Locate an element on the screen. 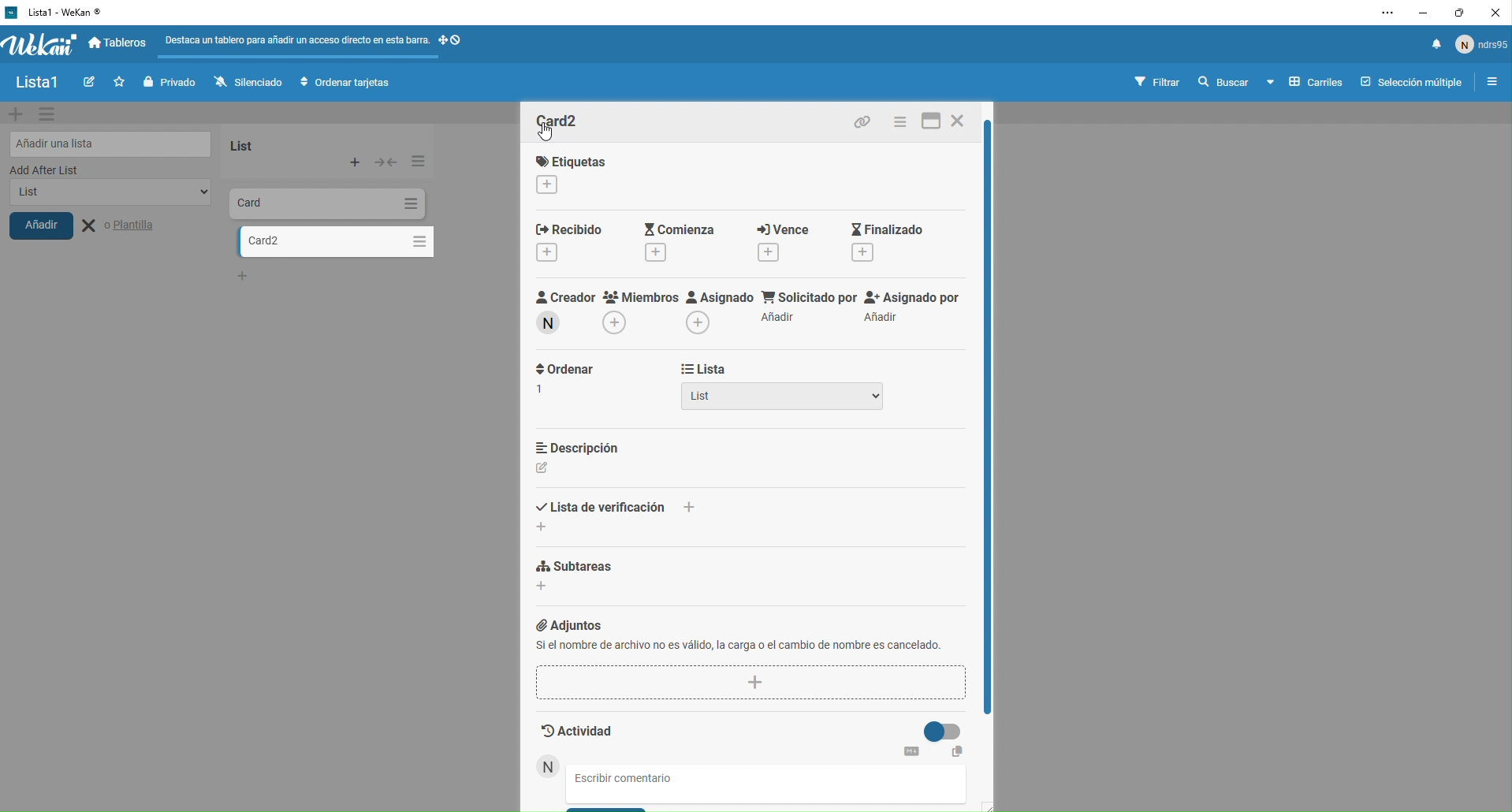 Image resolution: width=1512 pixels, height=812 pixels. add after list is located at coordinates (93, 170).